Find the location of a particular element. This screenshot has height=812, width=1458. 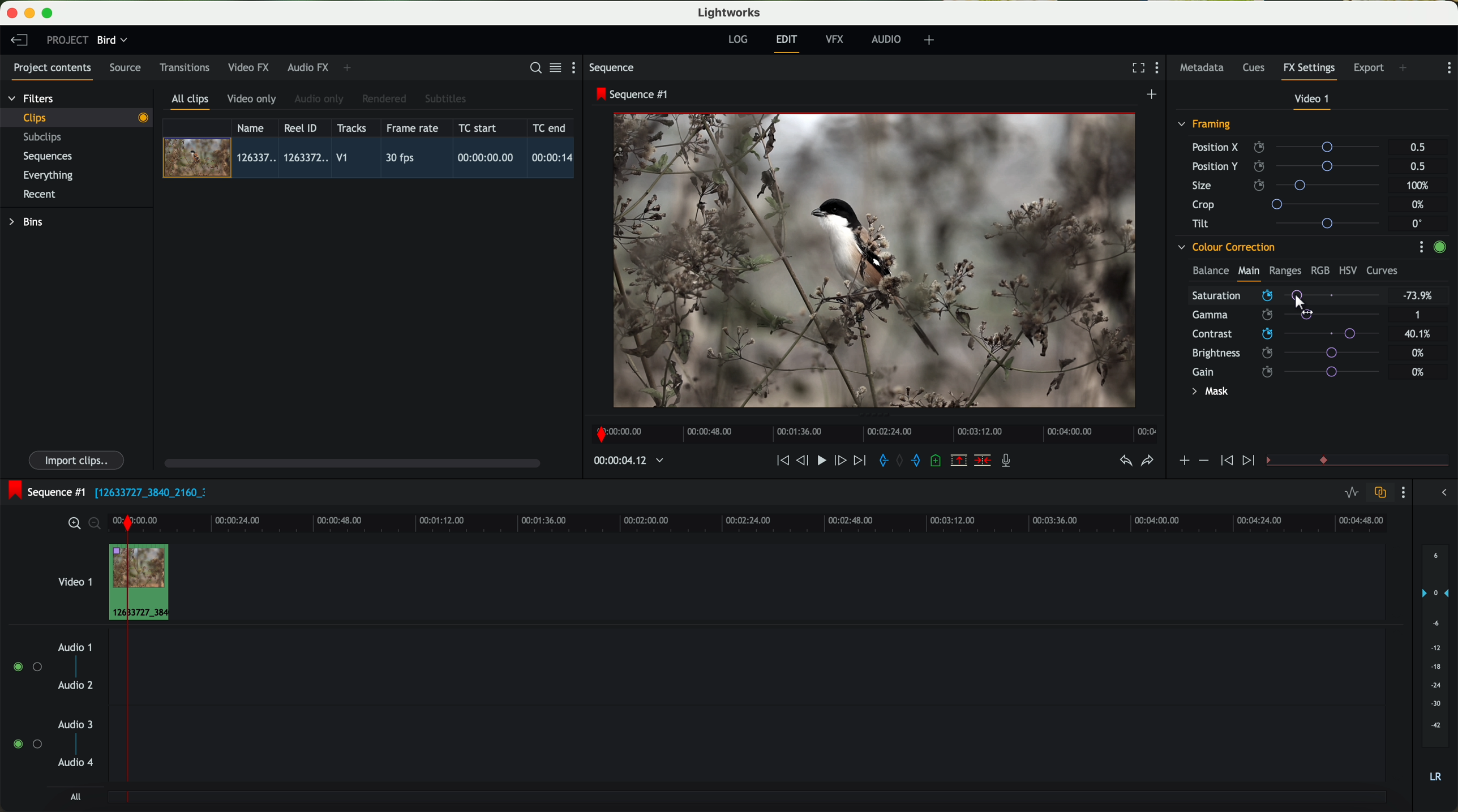

add 'out' mark is located at coordinates (921, 459).